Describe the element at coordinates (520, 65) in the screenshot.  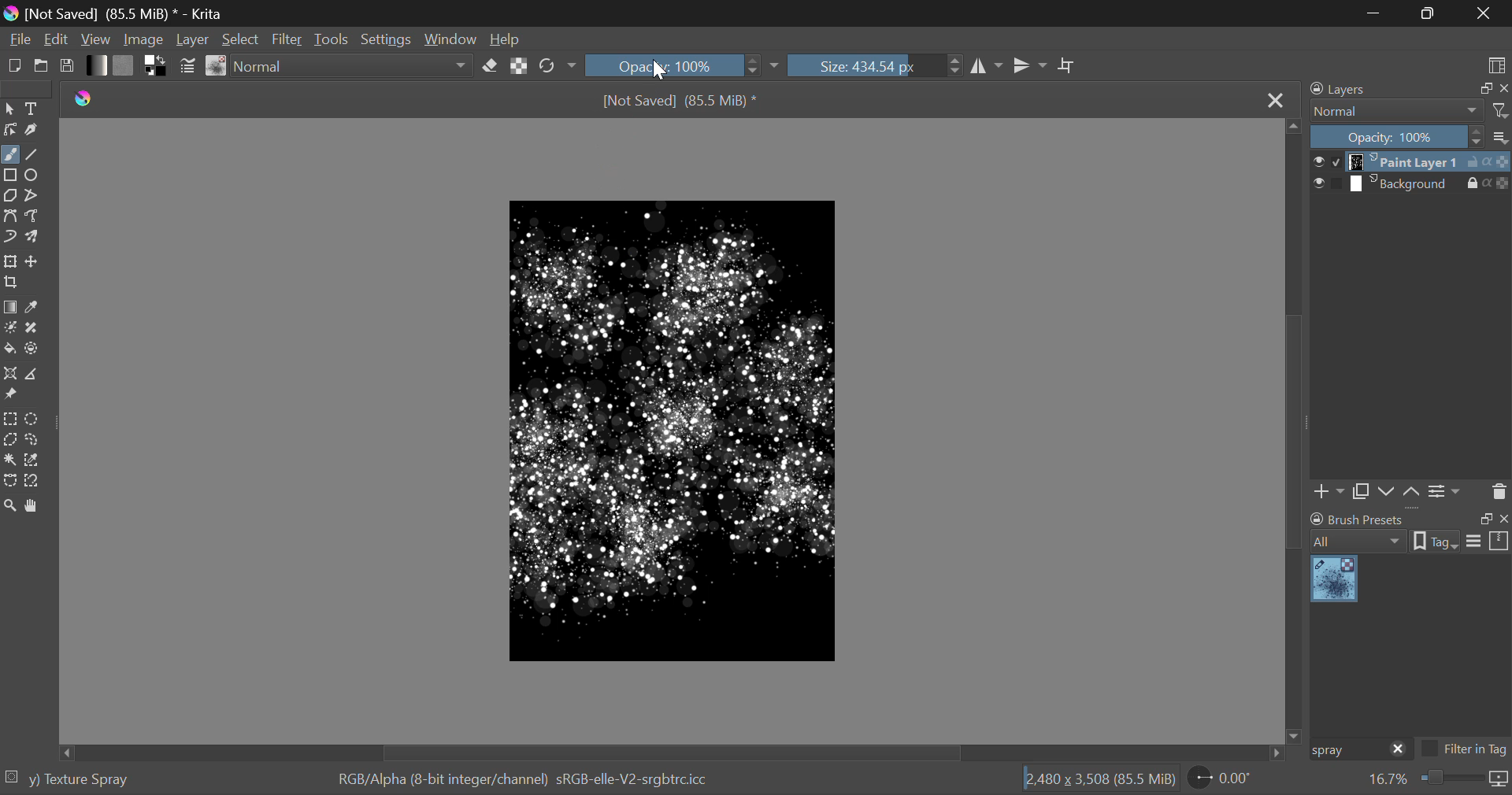
I see `Lock Alpha` at that location.